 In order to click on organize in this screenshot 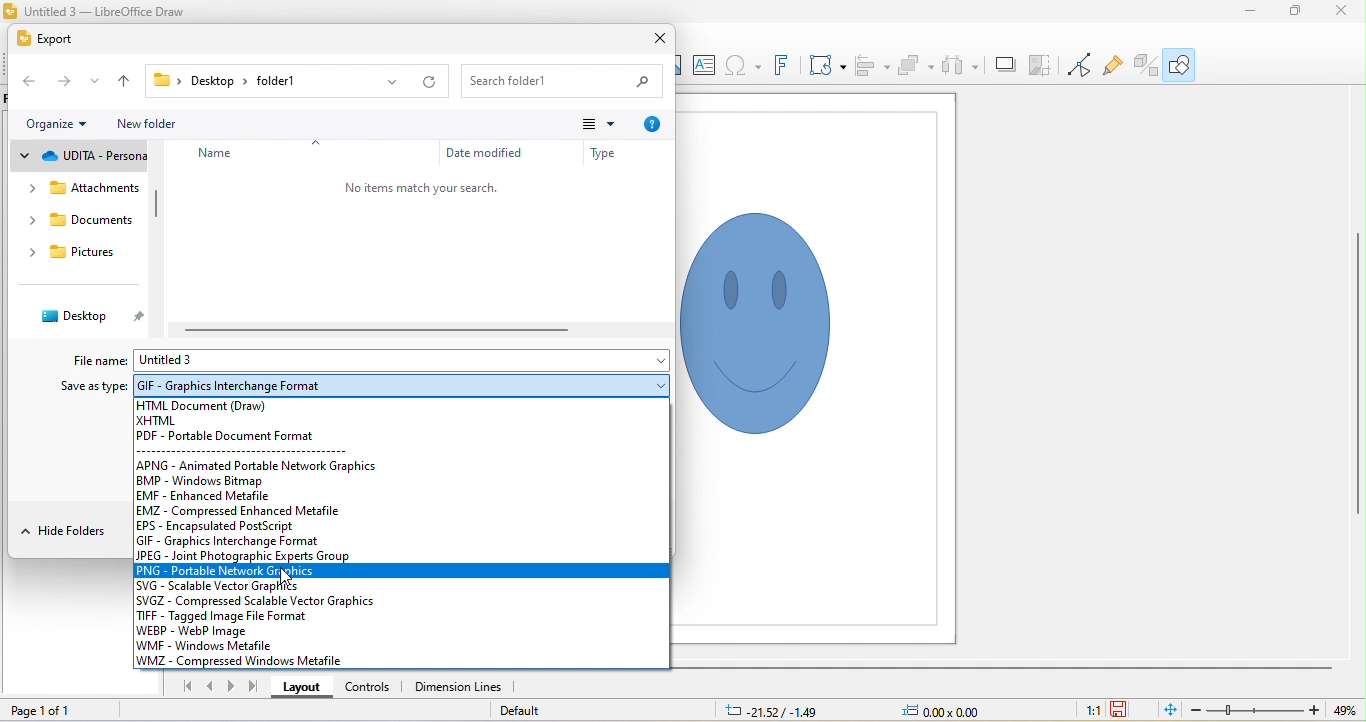, I will do `click(48, 123)`.